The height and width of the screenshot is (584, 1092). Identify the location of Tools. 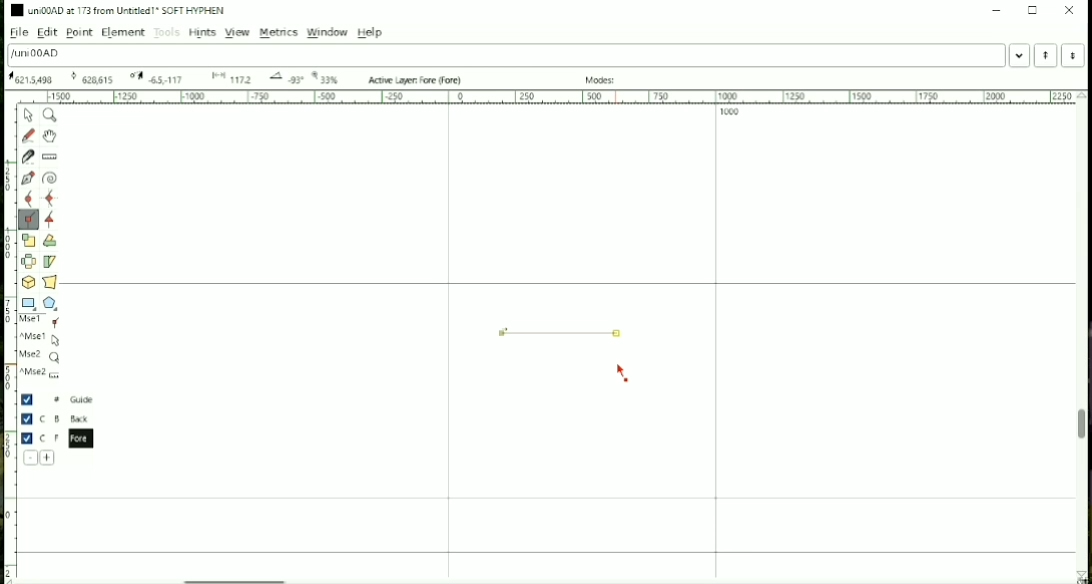
(167, 33).